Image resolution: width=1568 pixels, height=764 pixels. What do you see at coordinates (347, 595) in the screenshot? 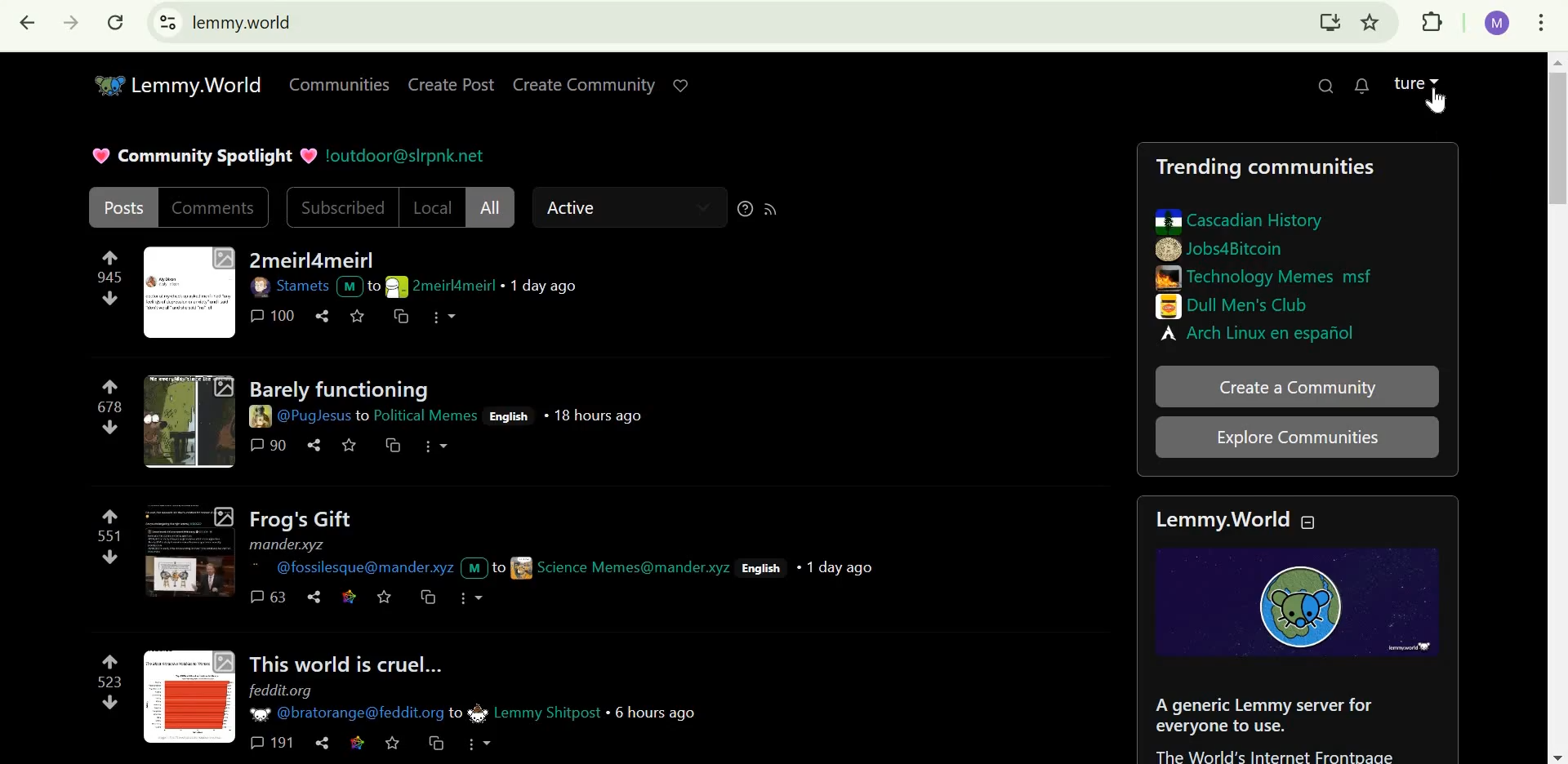
I see `link` at bounding box center [347, 595].